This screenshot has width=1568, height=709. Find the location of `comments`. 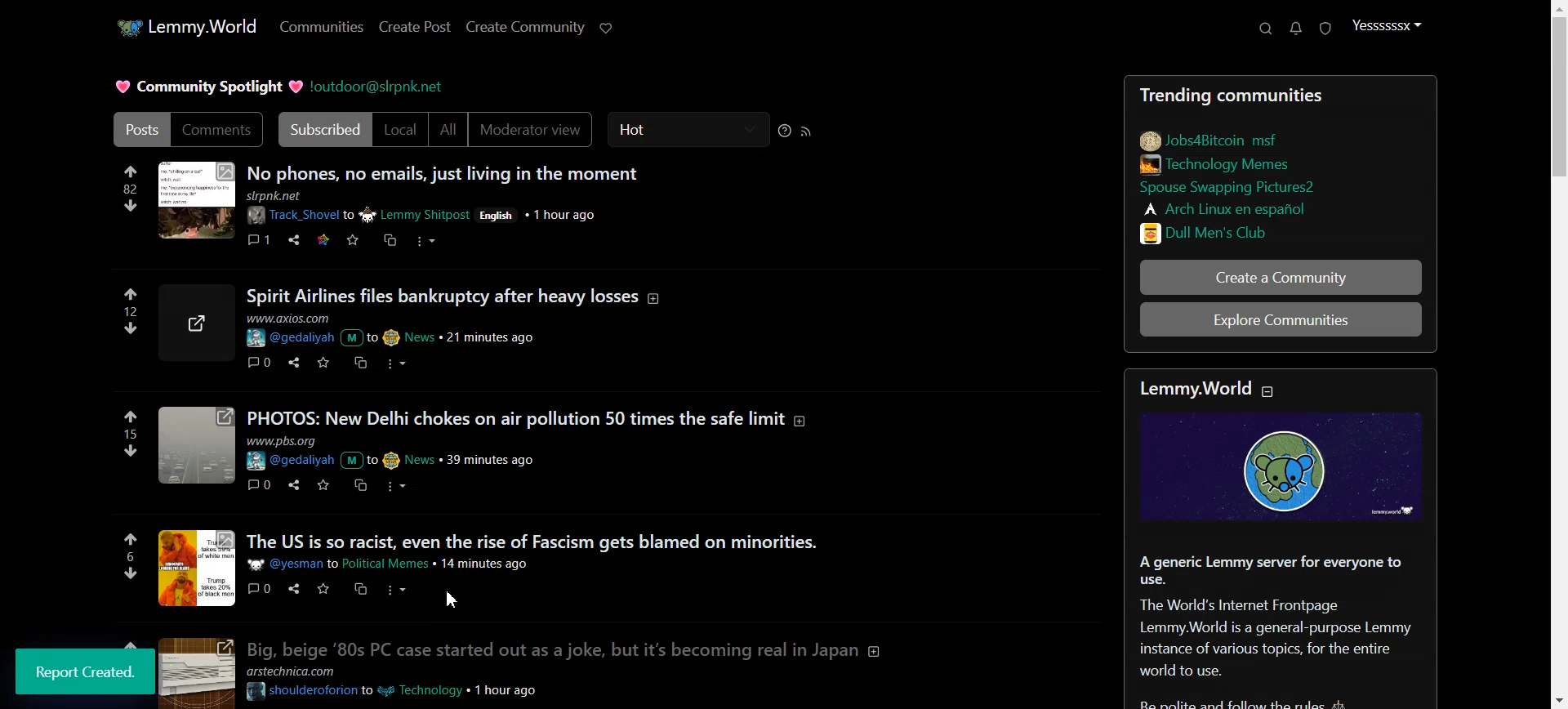

comments is located at coordinates (256, 362).